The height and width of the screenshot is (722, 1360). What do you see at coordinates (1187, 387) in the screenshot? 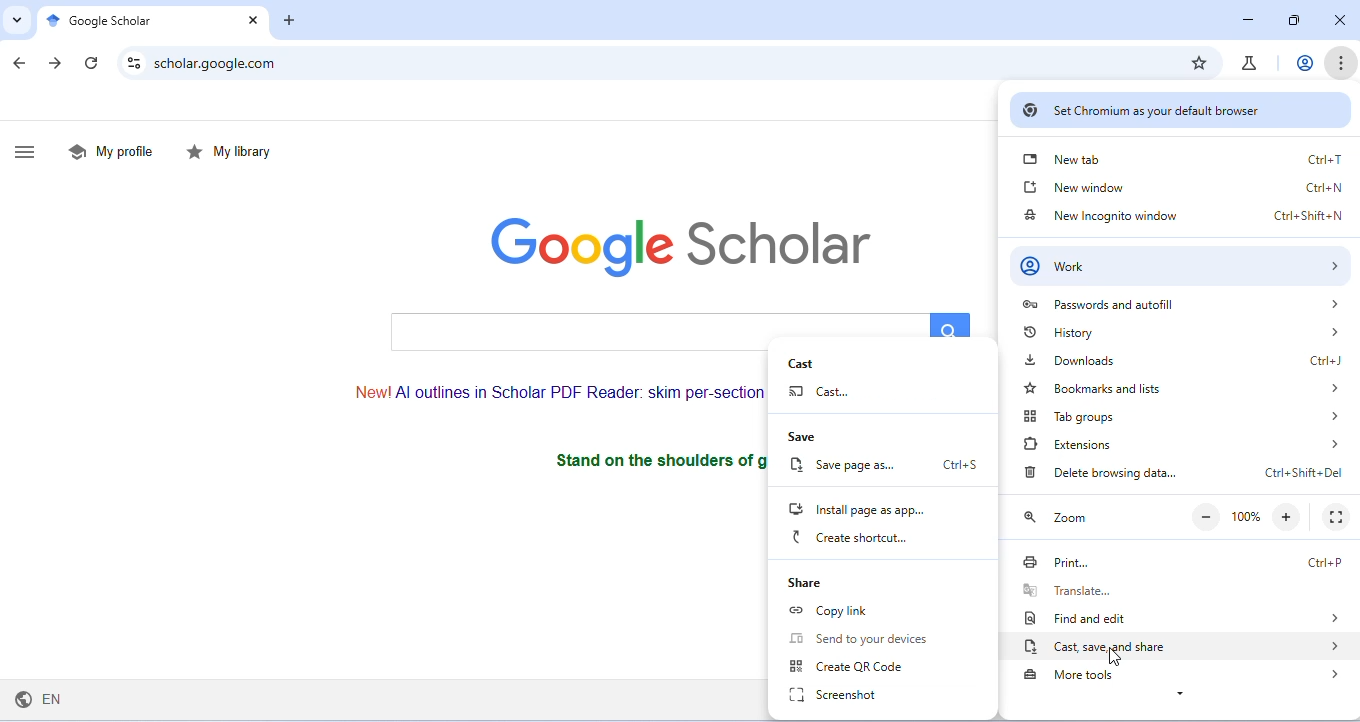
I see `bookmarks and lists` at bounding box center [1187, 387].